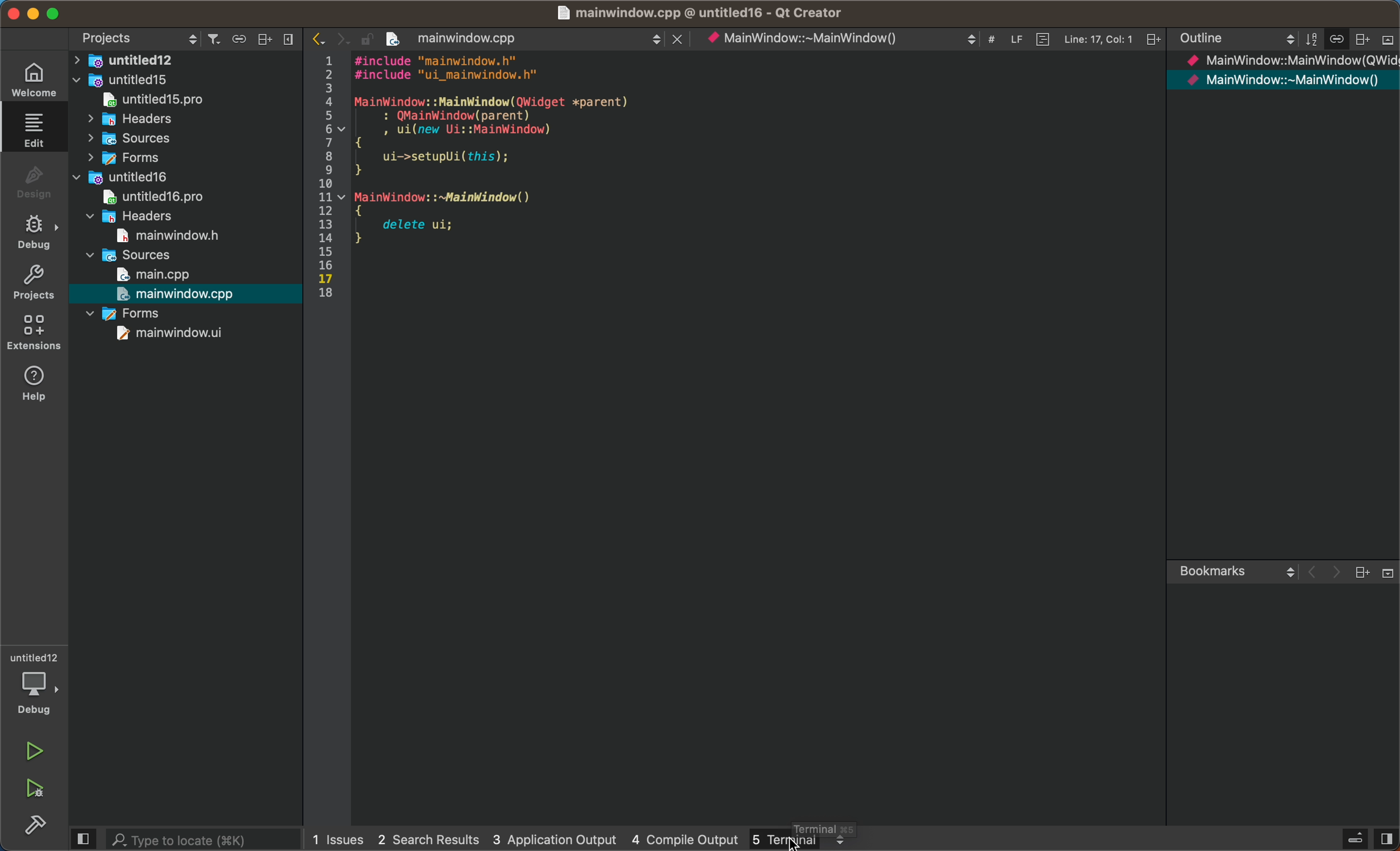 The image size is (1400, 851). I want to click on minimize, so click(32, 13).